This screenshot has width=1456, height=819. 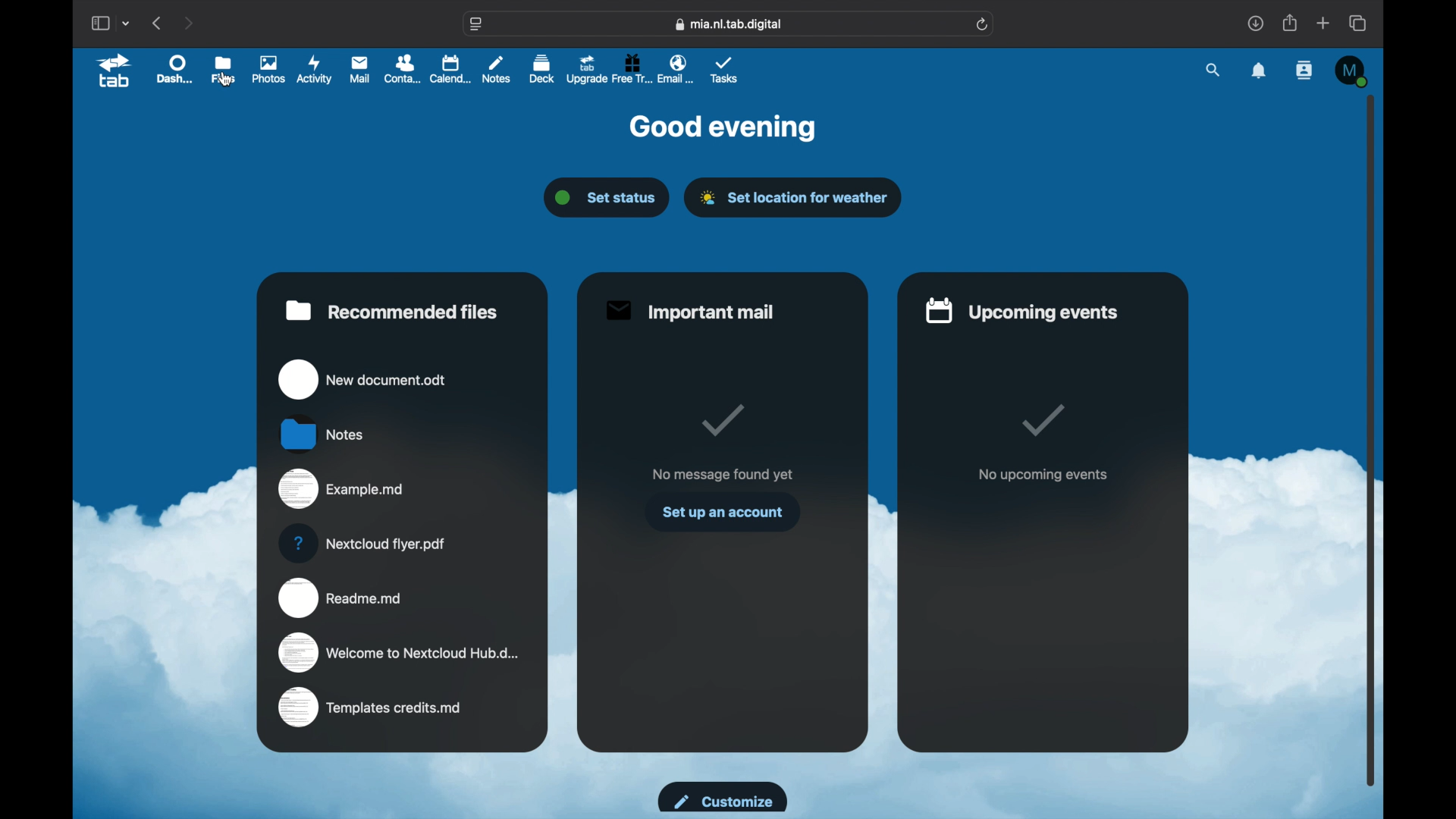 What do you see at coordinates (729, 25) in the screenshot?
I see `web address` at bounding box center [729, 25].